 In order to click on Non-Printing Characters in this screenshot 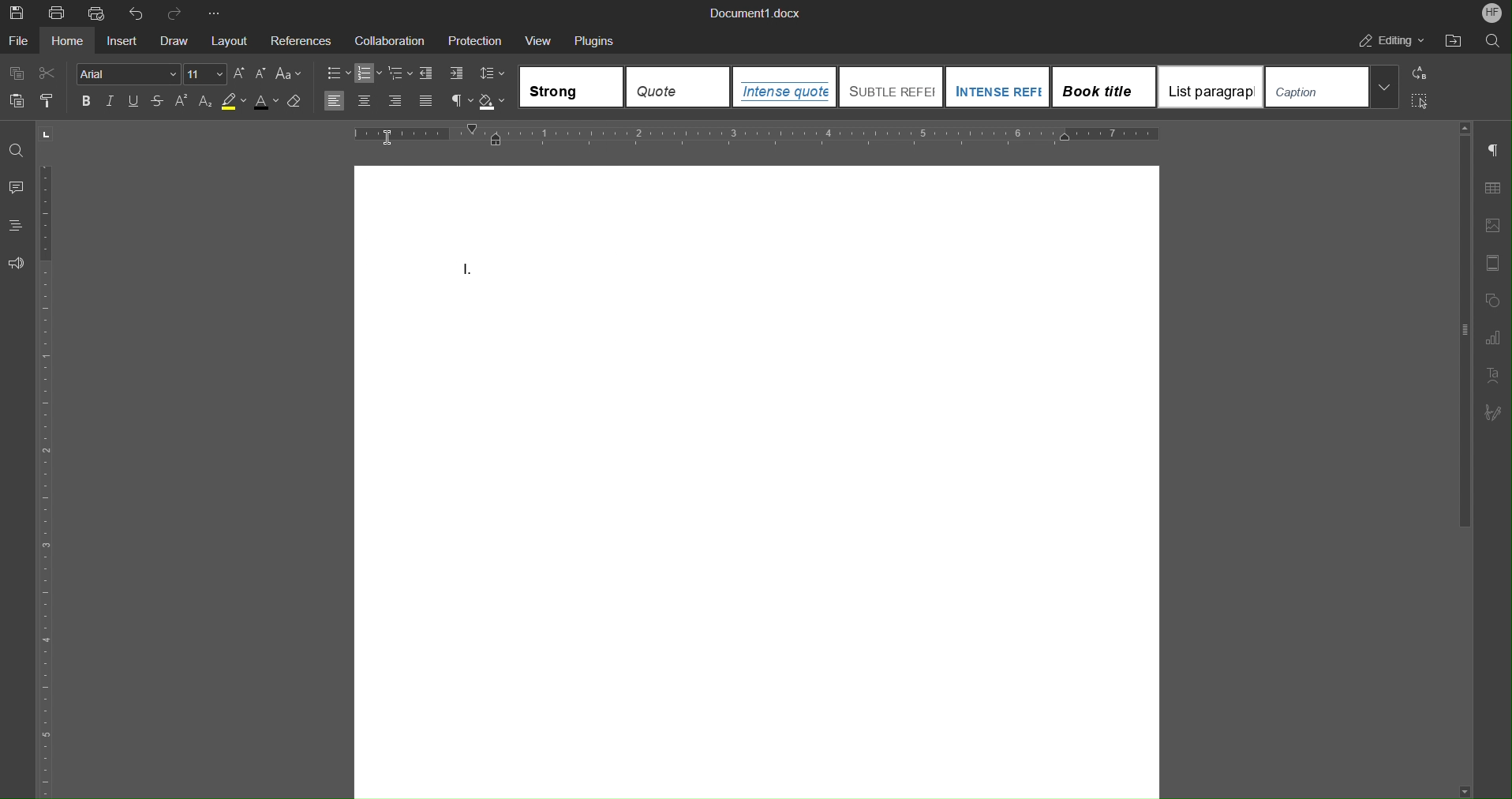, I will do `click(461, 102)`.